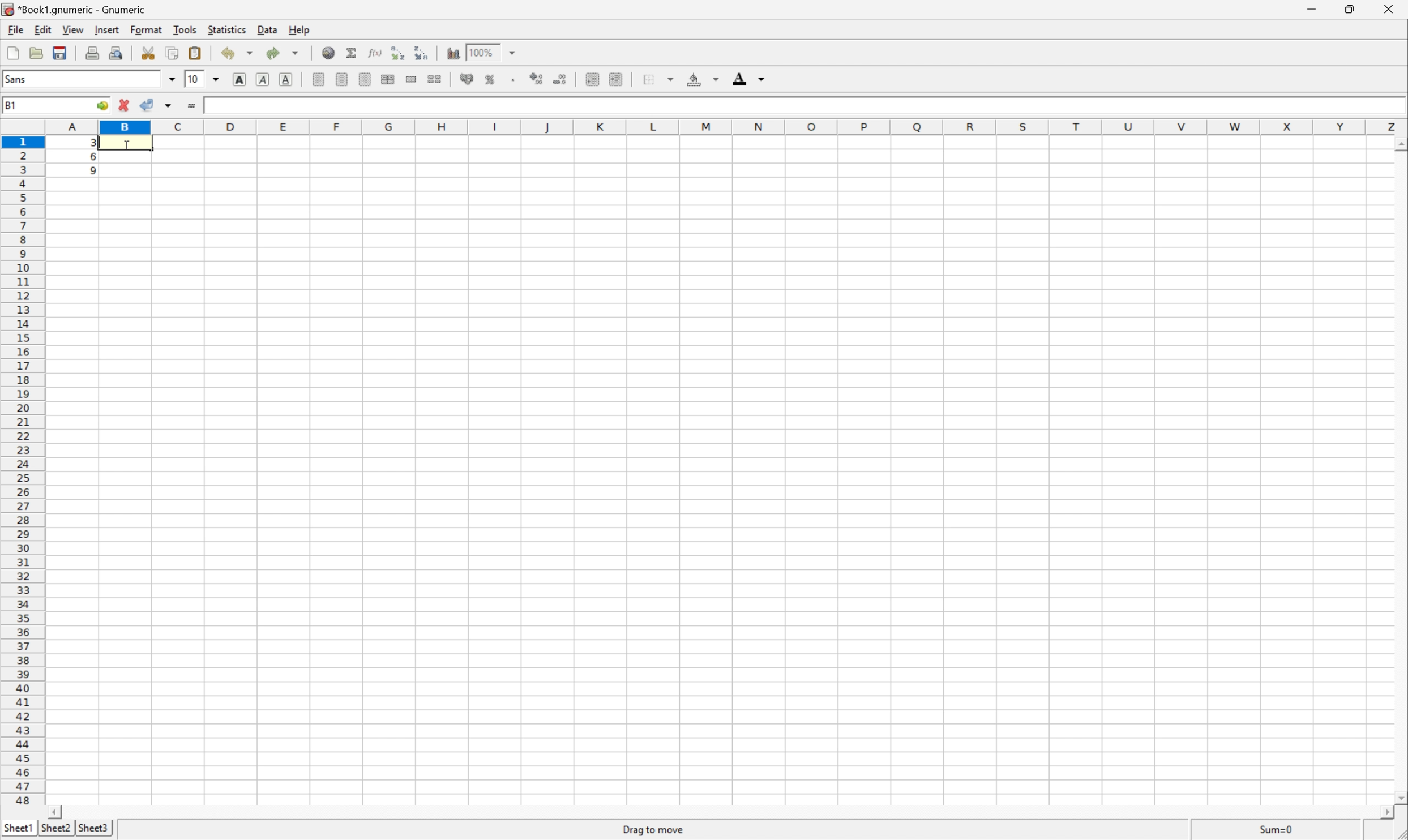 Image resolution: width=1408 pixels, height=840 pixels. What do you see at coordinates (328, 53) in the screenshot?
I see `Insert a hyperlink` at bounding box center [328, 53].